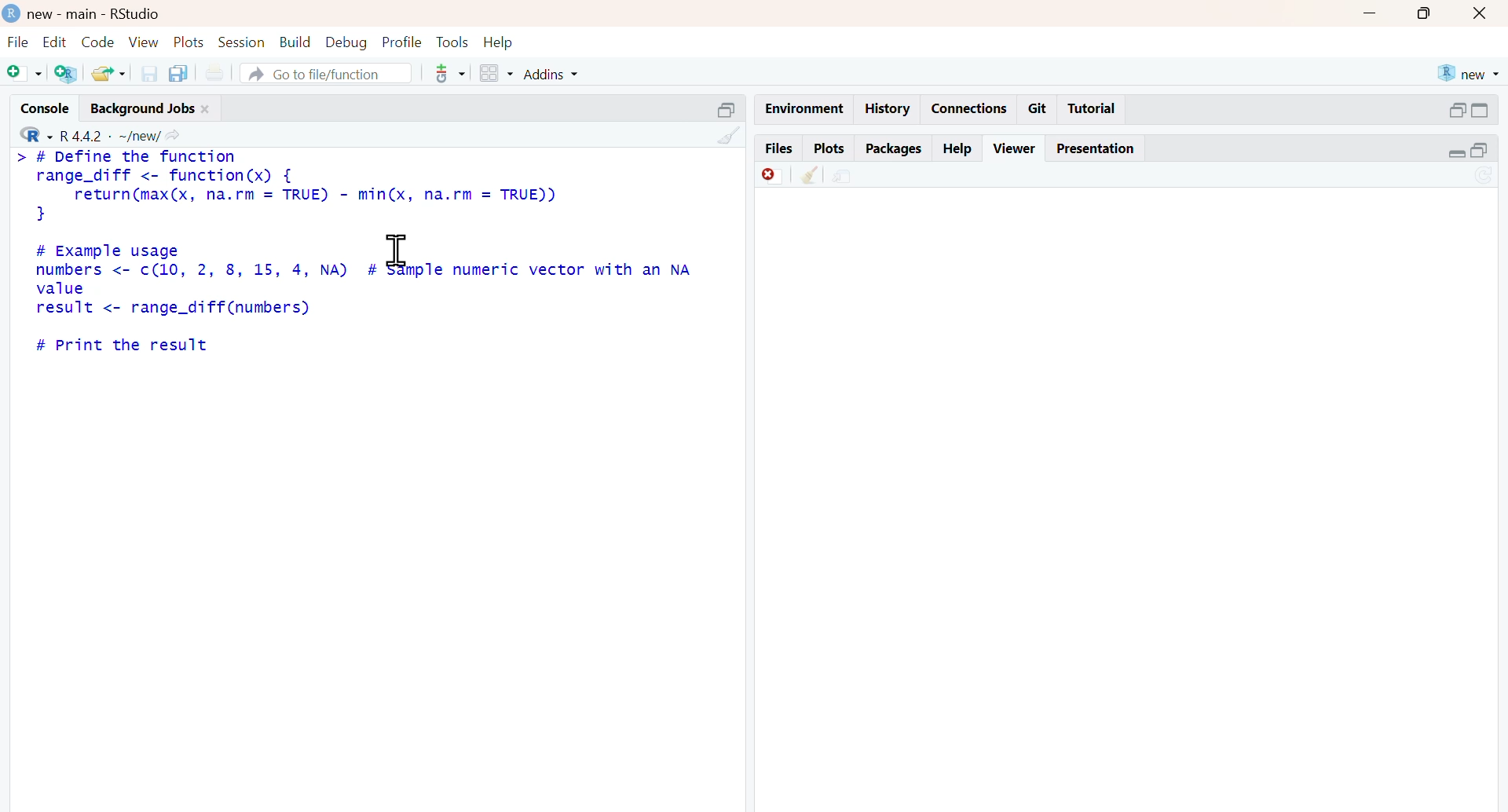  Describe the element at coordinates (55, 42) in the screenshot. I see `edit` at that location.